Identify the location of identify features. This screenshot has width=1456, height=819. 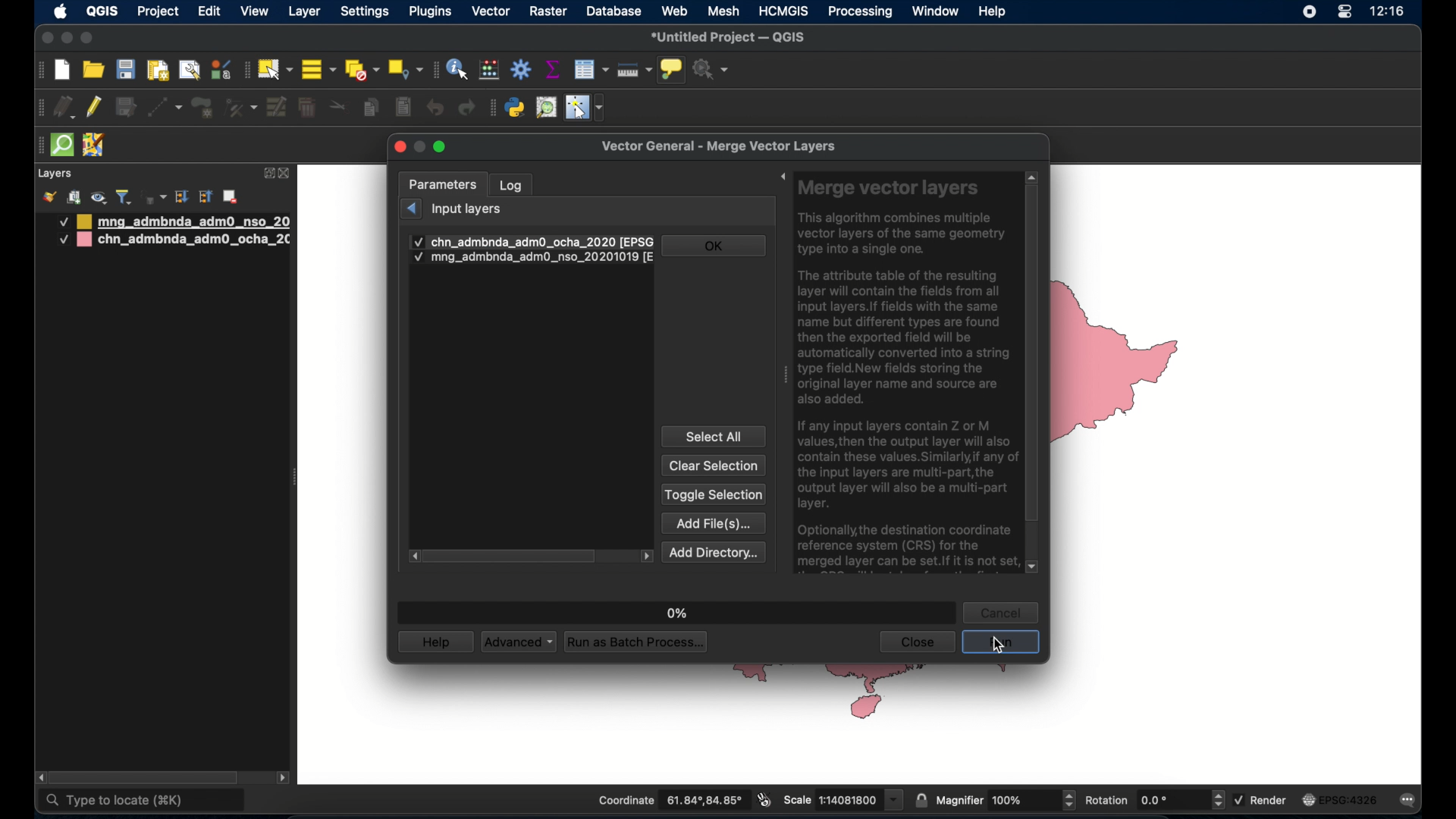
(457, 69).